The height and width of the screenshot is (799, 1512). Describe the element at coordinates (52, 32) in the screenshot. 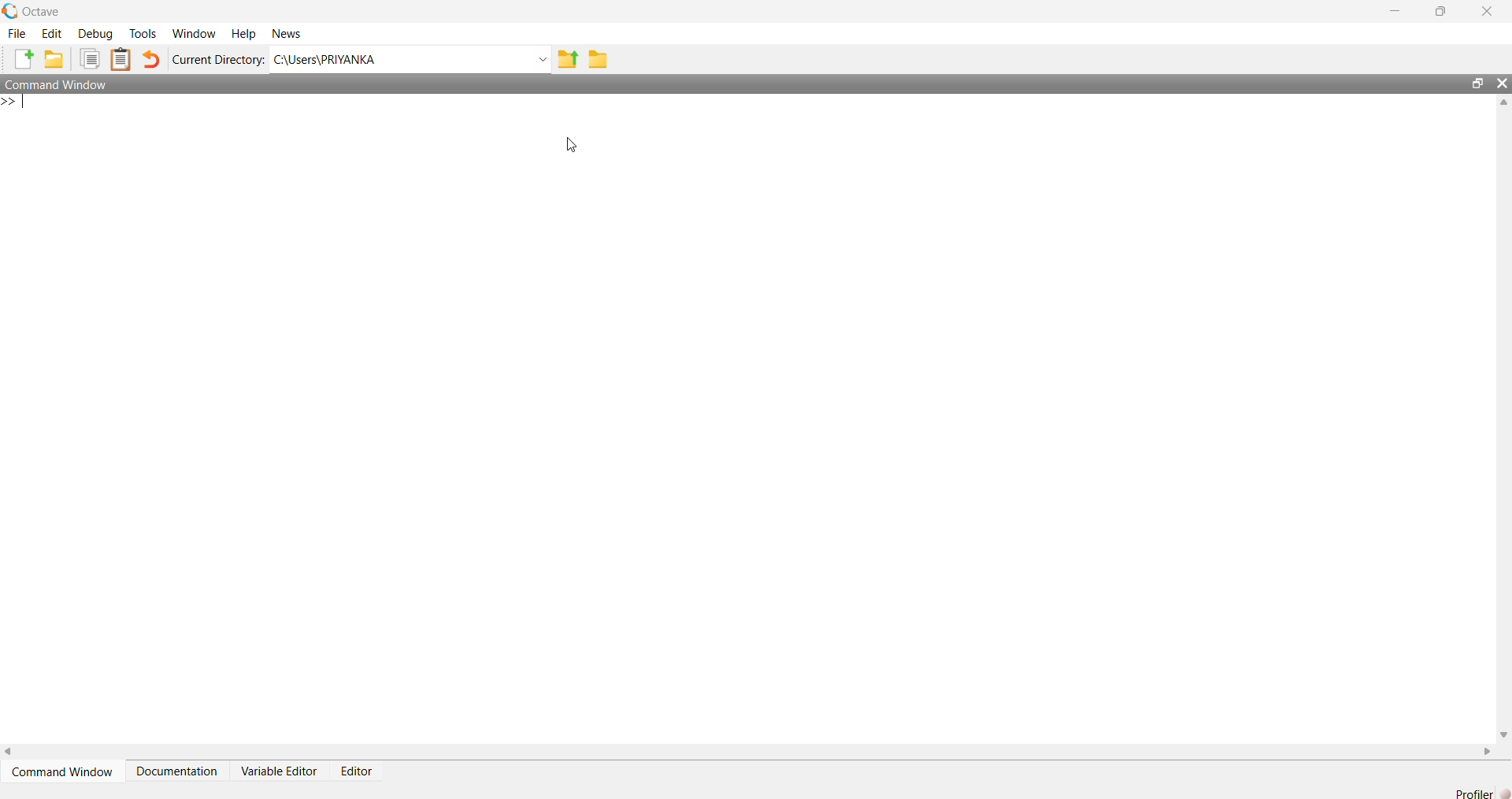

I see `Edit` at that location.